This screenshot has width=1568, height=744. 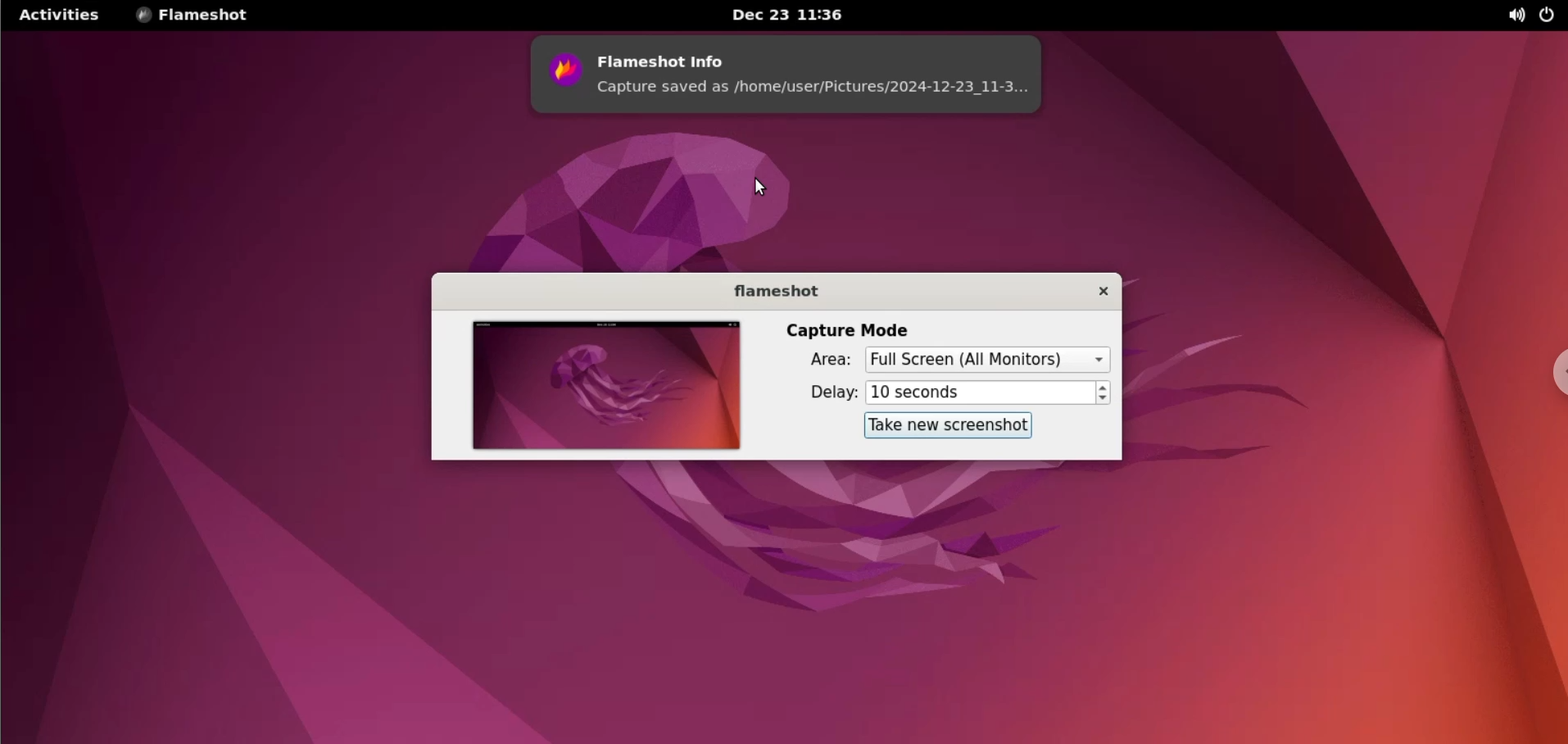 I want to click on area , so click(x=825, y=357).